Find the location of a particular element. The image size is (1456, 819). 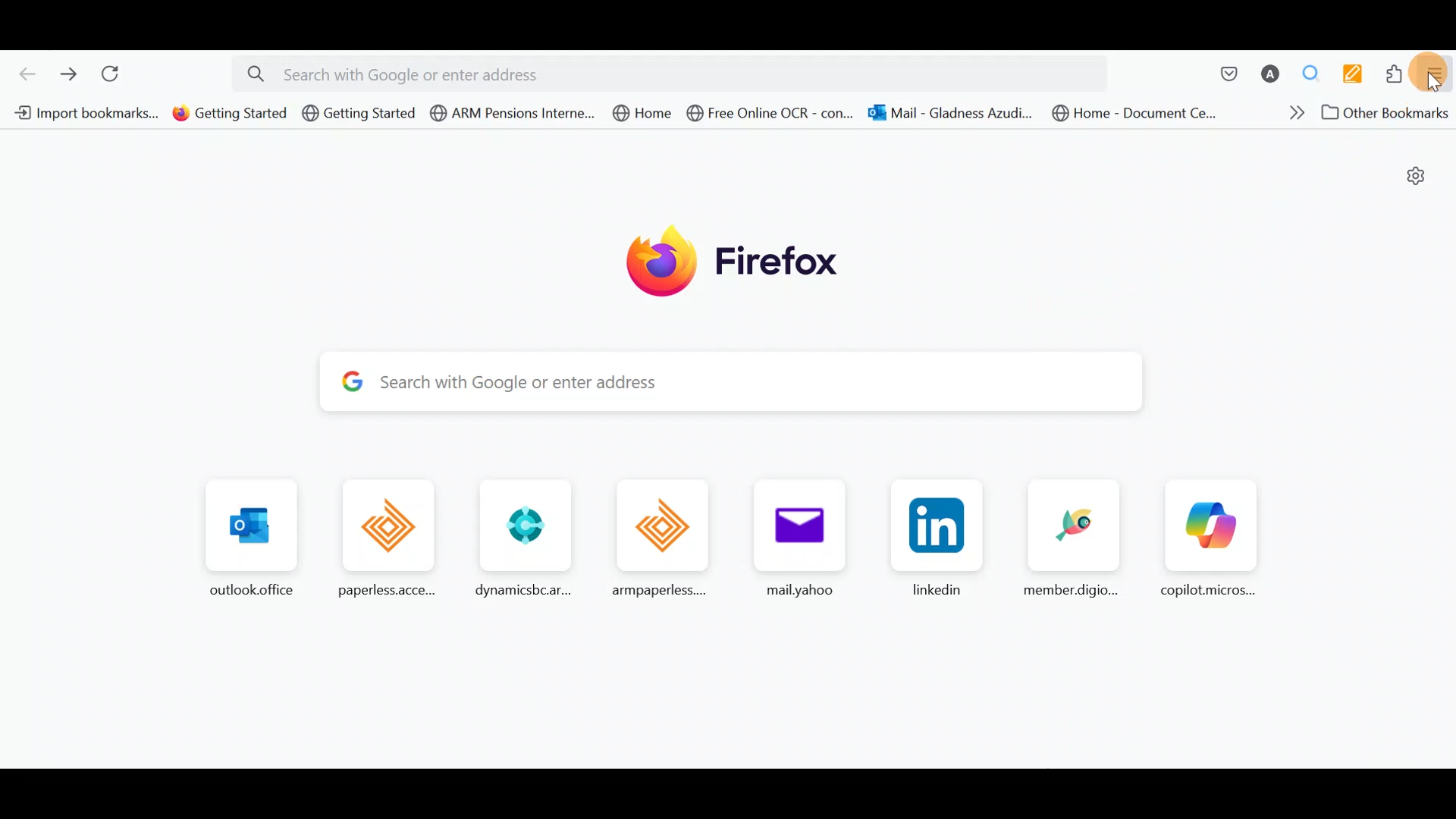

Show more bookmarks is located at coordinates (1291, 111).